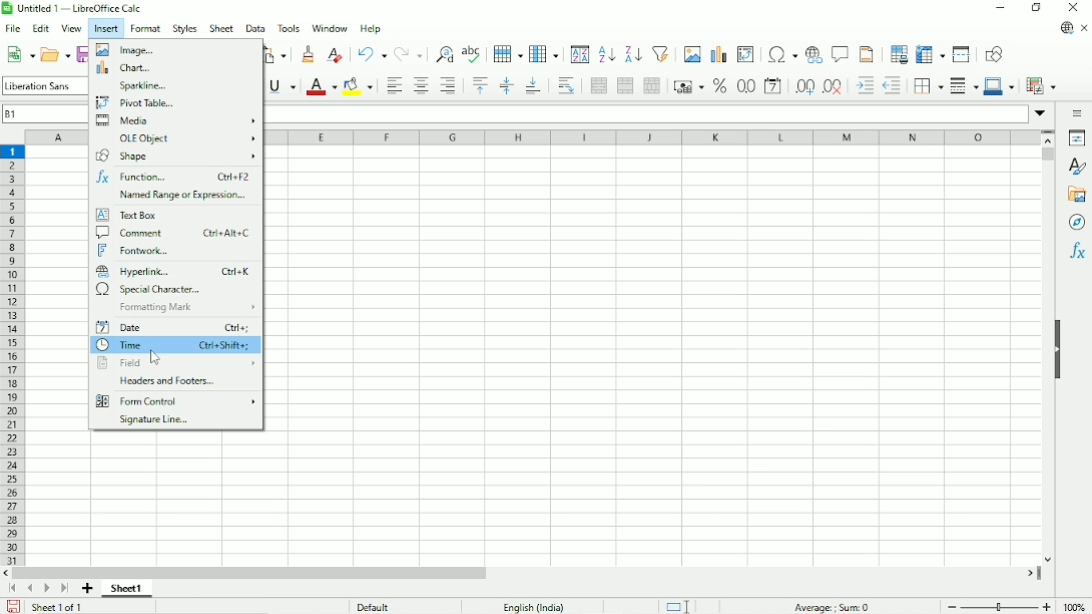 This screenshot has height=614, width=1092. I want to click on Field, so click(174, 361).